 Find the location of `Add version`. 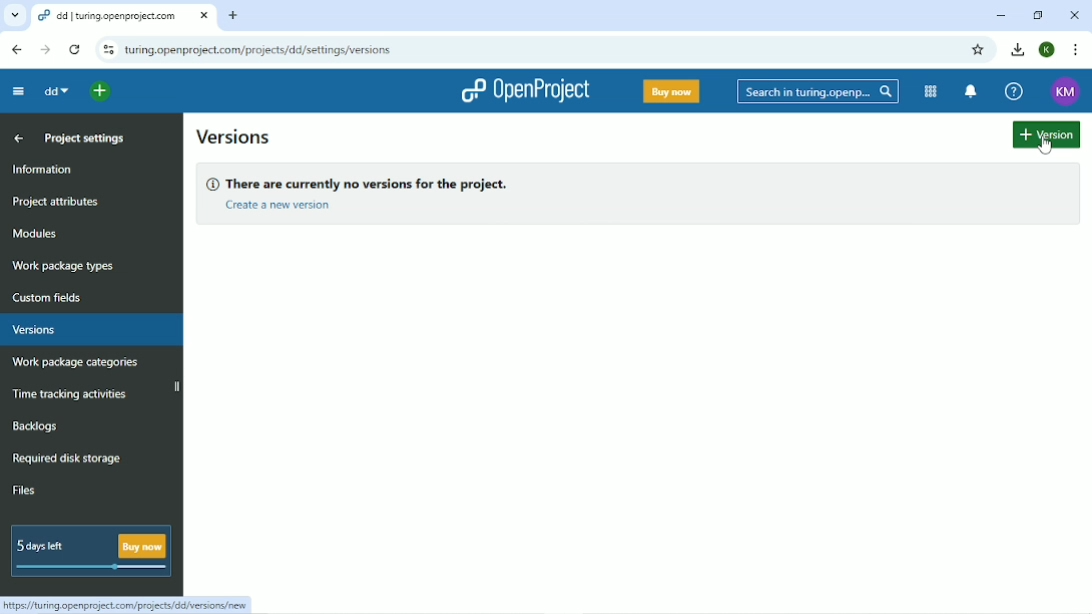

Add version is located at coordinates (1046, 136).